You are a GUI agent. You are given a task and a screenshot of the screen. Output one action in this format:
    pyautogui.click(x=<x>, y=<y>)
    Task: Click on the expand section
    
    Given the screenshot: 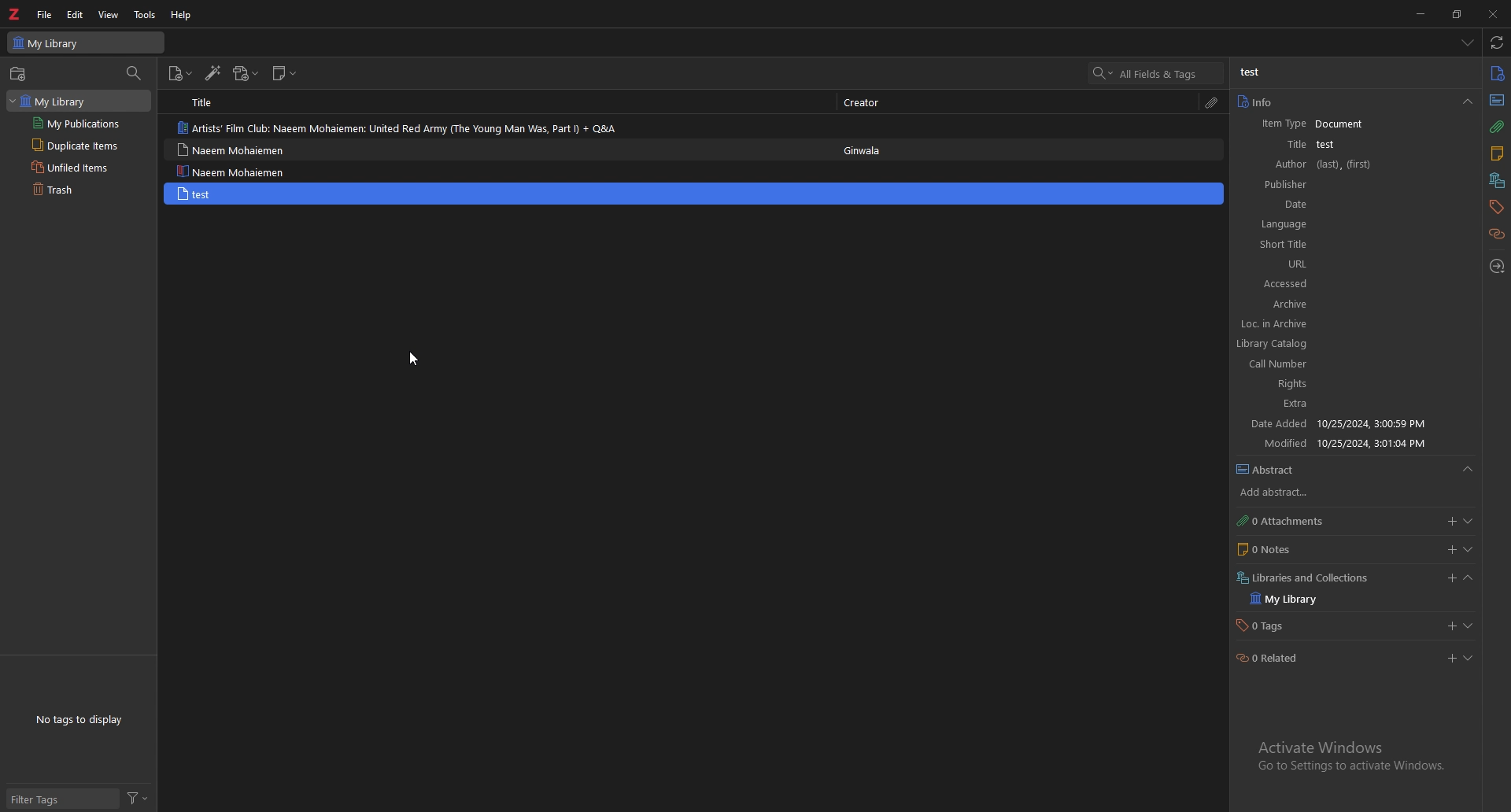 What is the action you would take?
    pyautogui.click(x=1475, y=522)
    